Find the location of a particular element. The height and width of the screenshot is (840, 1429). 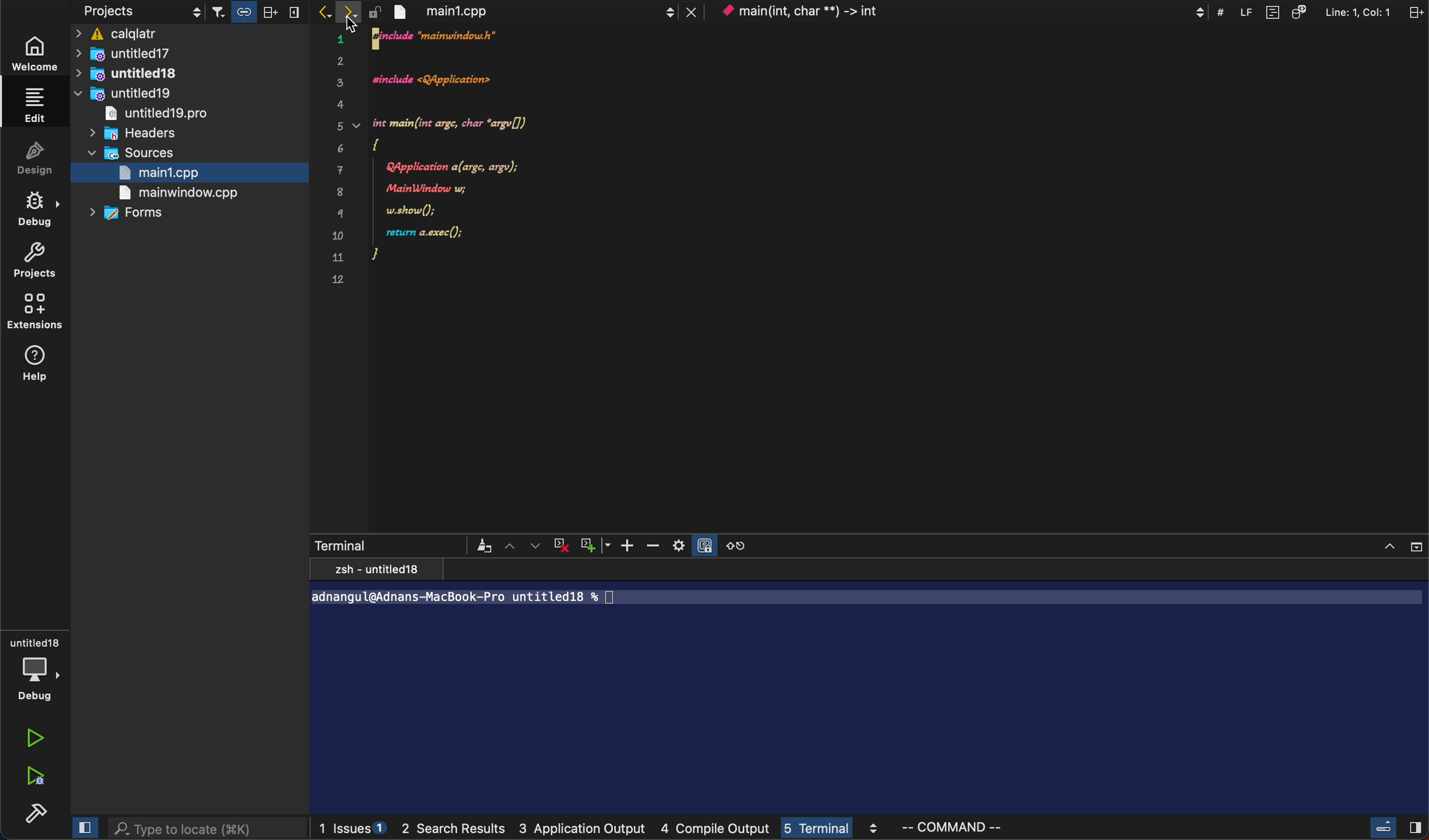

Add  is located at coordinates (630, 545).